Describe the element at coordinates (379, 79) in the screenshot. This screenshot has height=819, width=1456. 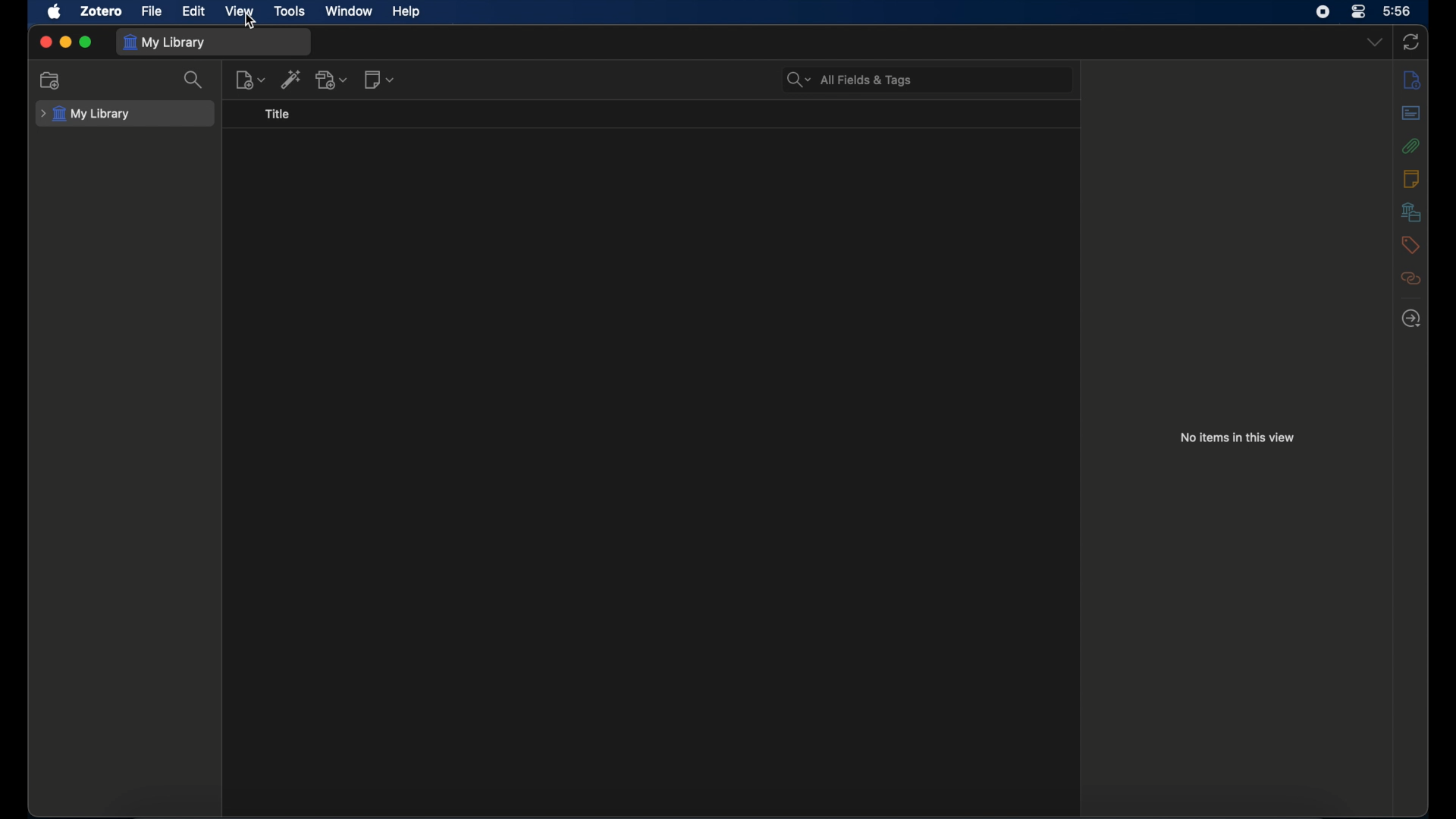
I see `new notes` at that location.